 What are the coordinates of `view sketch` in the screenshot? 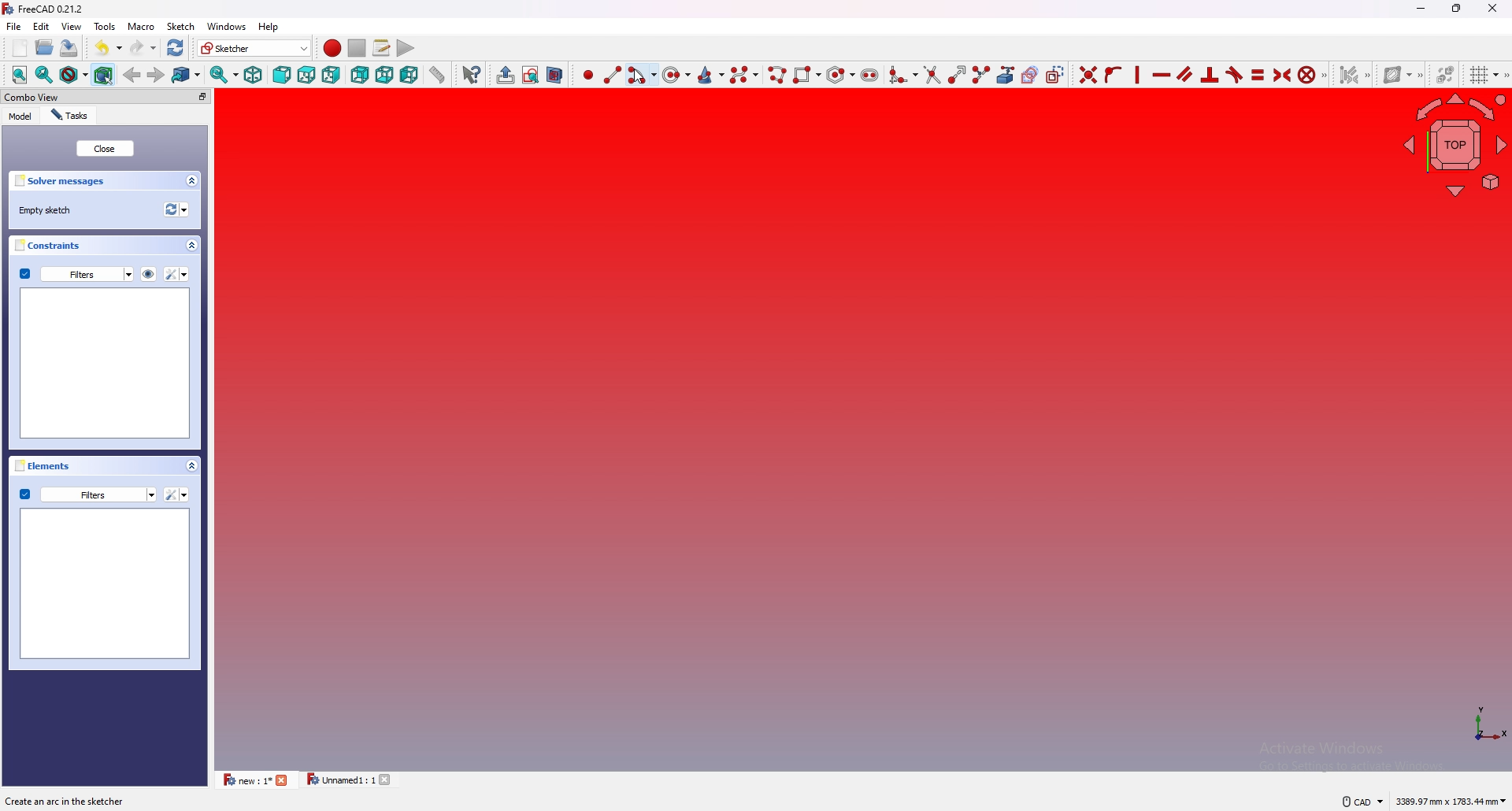 It's located at (531, 76).